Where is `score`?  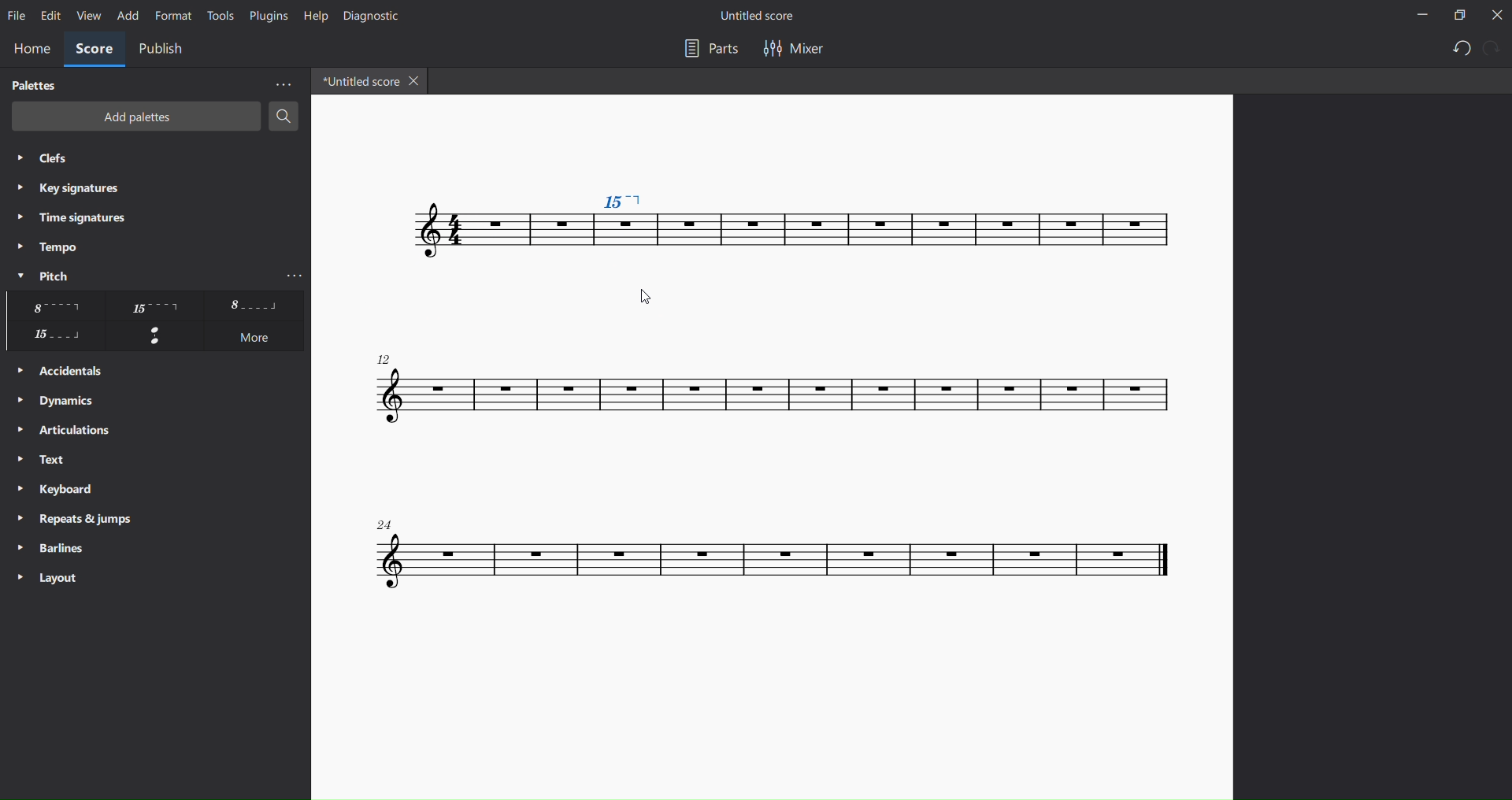
score is located at coordinates (1062, 231).